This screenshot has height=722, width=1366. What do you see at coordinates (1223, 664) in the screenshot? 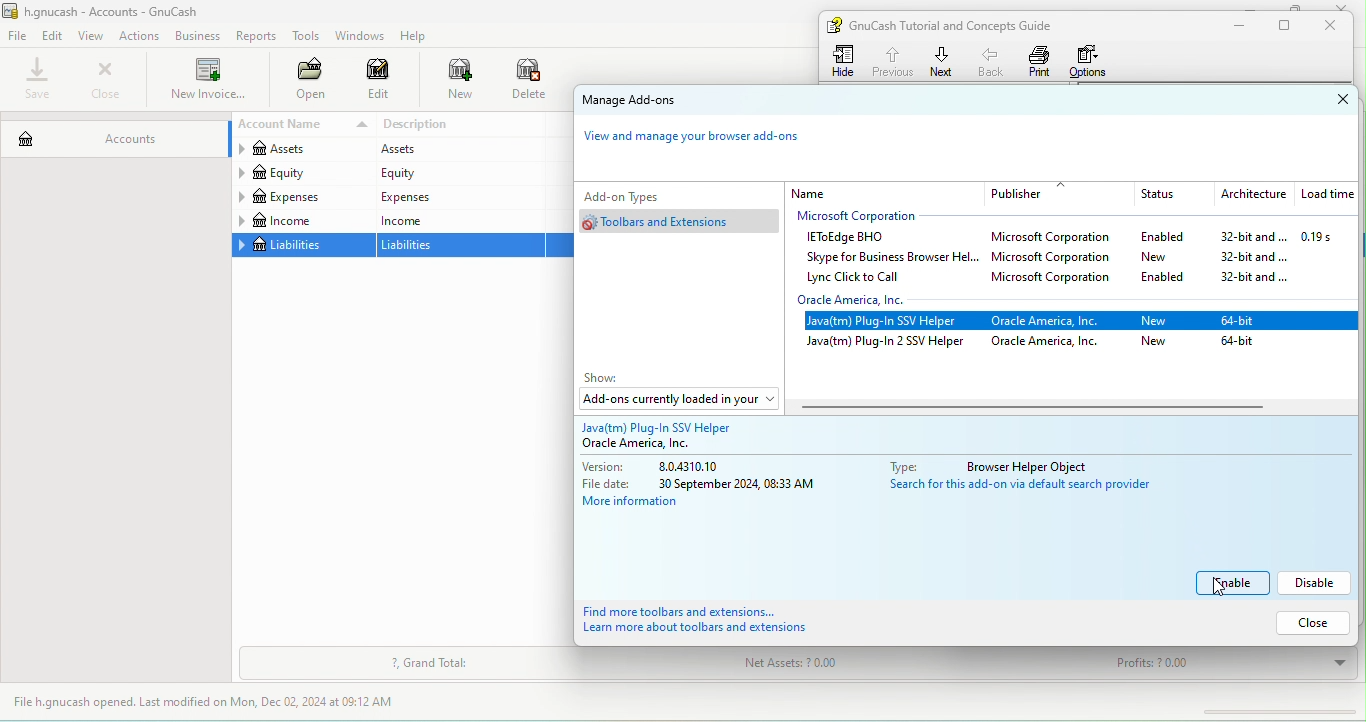
I see `profits?0.00` at bounding box center [1223, 664].